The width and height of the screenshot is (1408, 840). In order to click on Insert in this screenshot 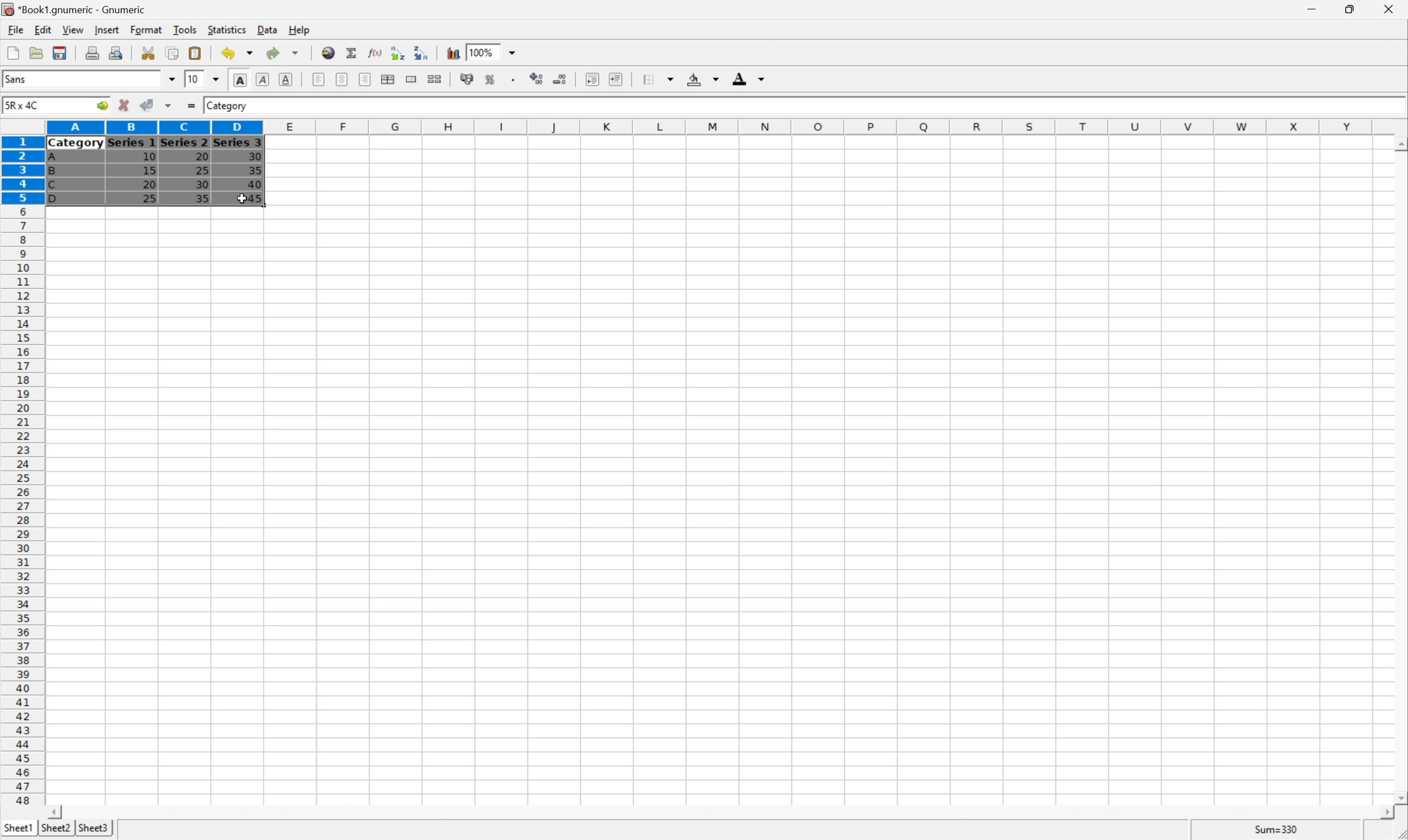, I will do `click(108, 30)`.